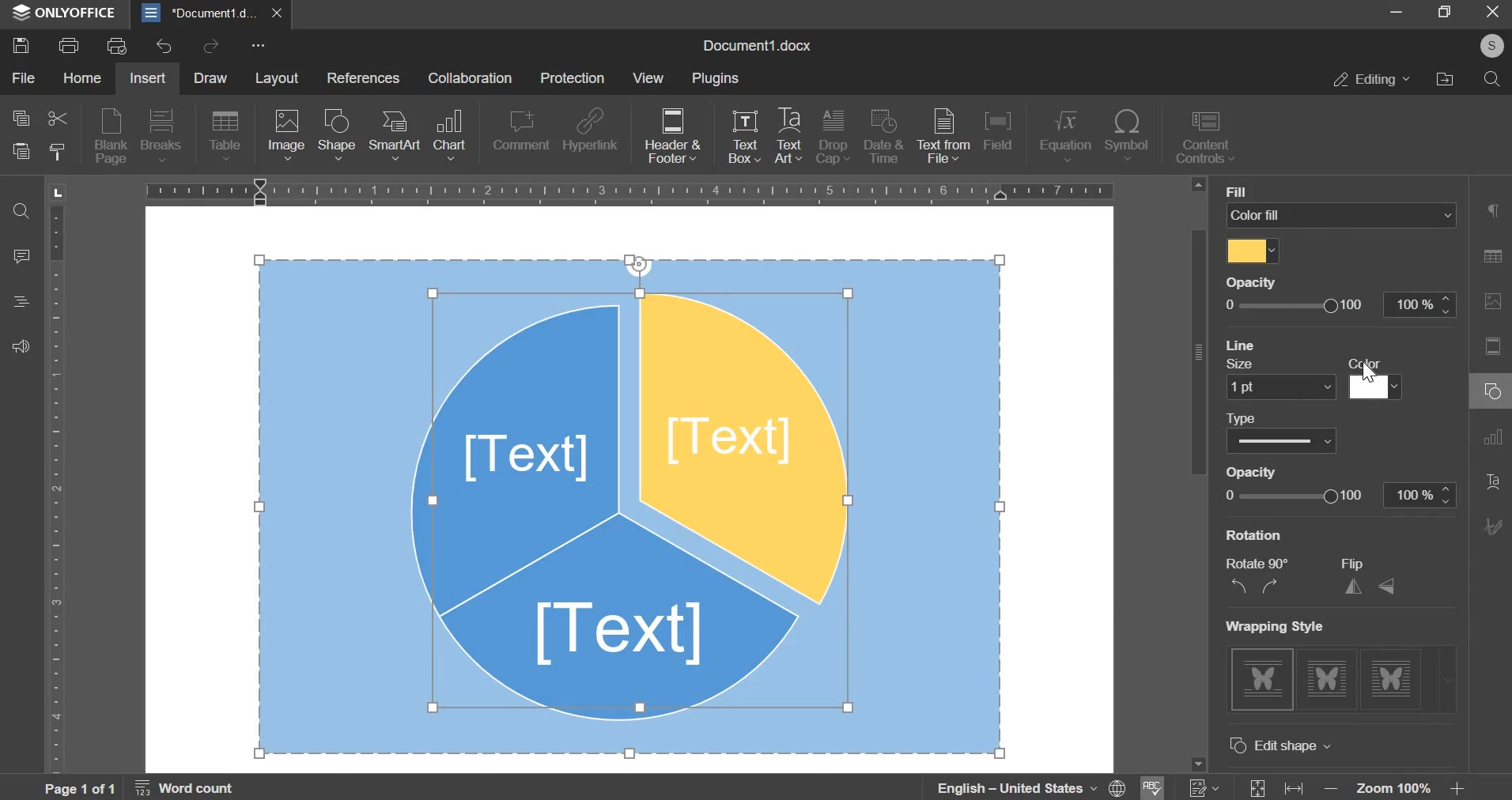 Image resolution: width=1512 pixels, height=800 pixels. What do you see at coordinates (1369, 587) in the screenshot?
I see `flip` at bounding box center [1369, 587].